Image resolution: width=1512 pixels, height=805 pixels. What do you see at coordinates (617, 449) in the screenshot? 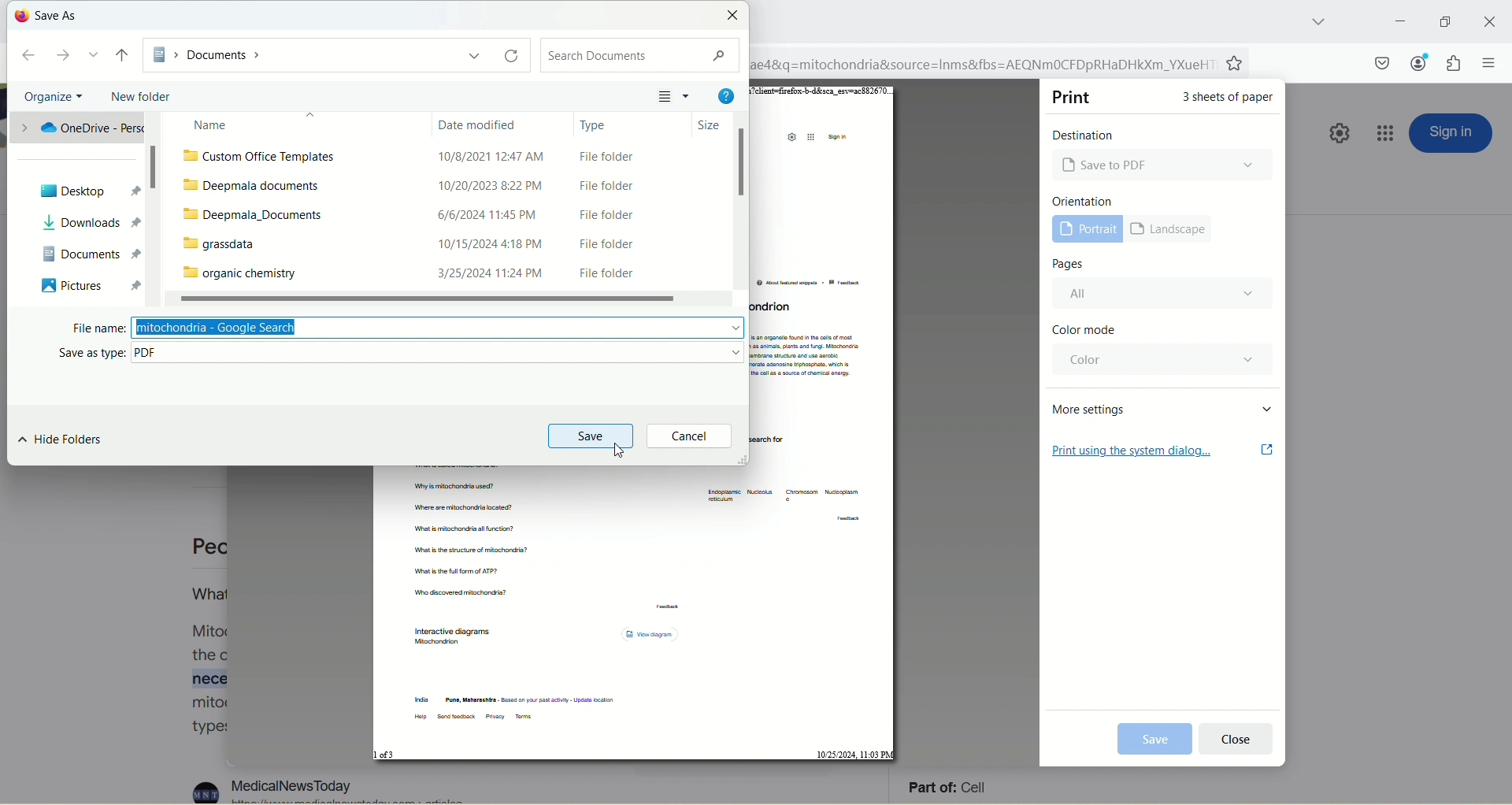
I see `cursor` at bounding box center [617, 449].